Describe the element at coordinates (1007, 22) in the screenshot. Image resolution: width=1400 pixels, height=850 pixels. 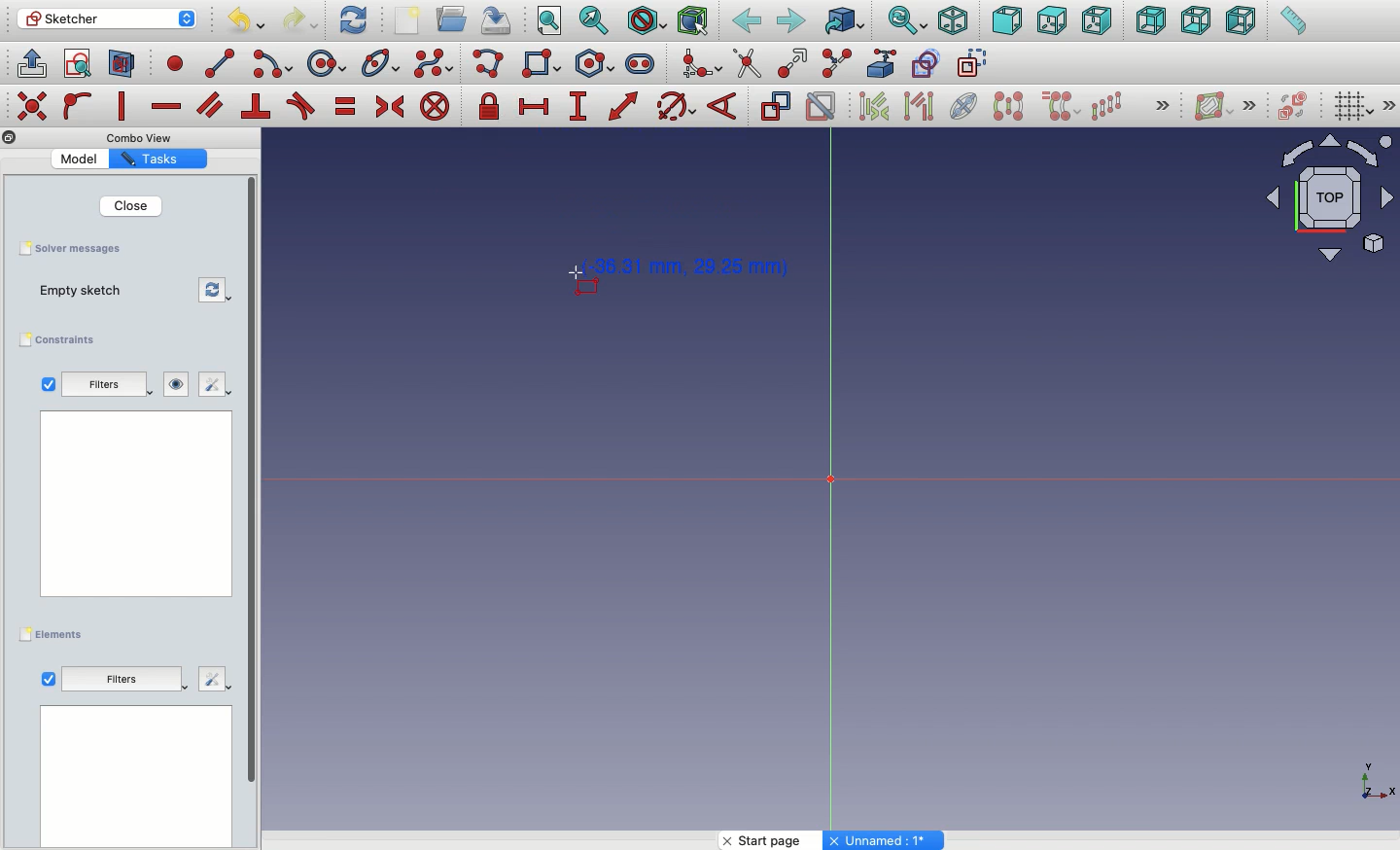
I see `Front` at that location.